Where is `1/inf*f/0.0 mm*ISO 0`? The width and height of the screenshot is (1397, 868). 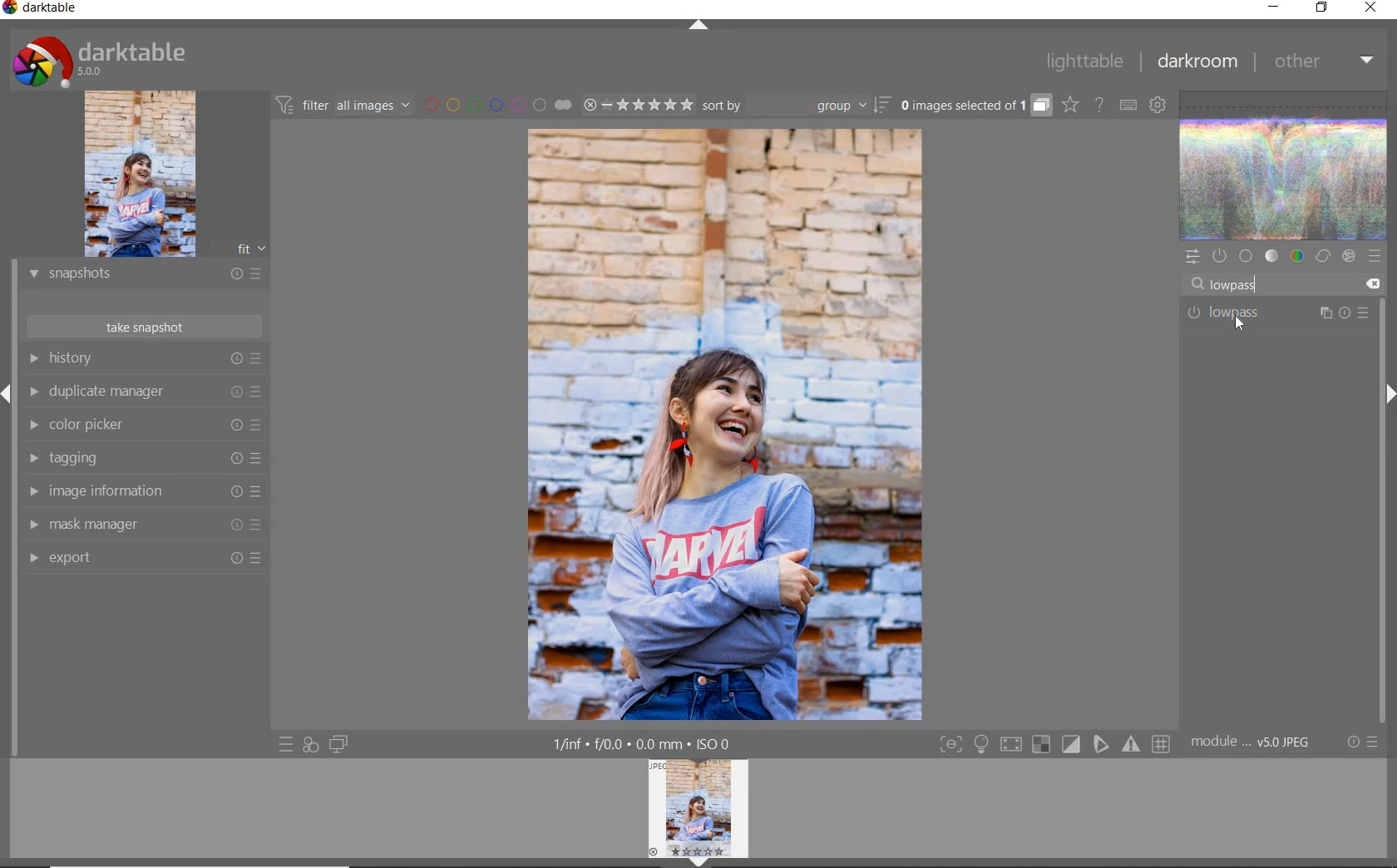 1/inf*f/0.0 mm*ISO 0 is located at coordinates (646, 744).